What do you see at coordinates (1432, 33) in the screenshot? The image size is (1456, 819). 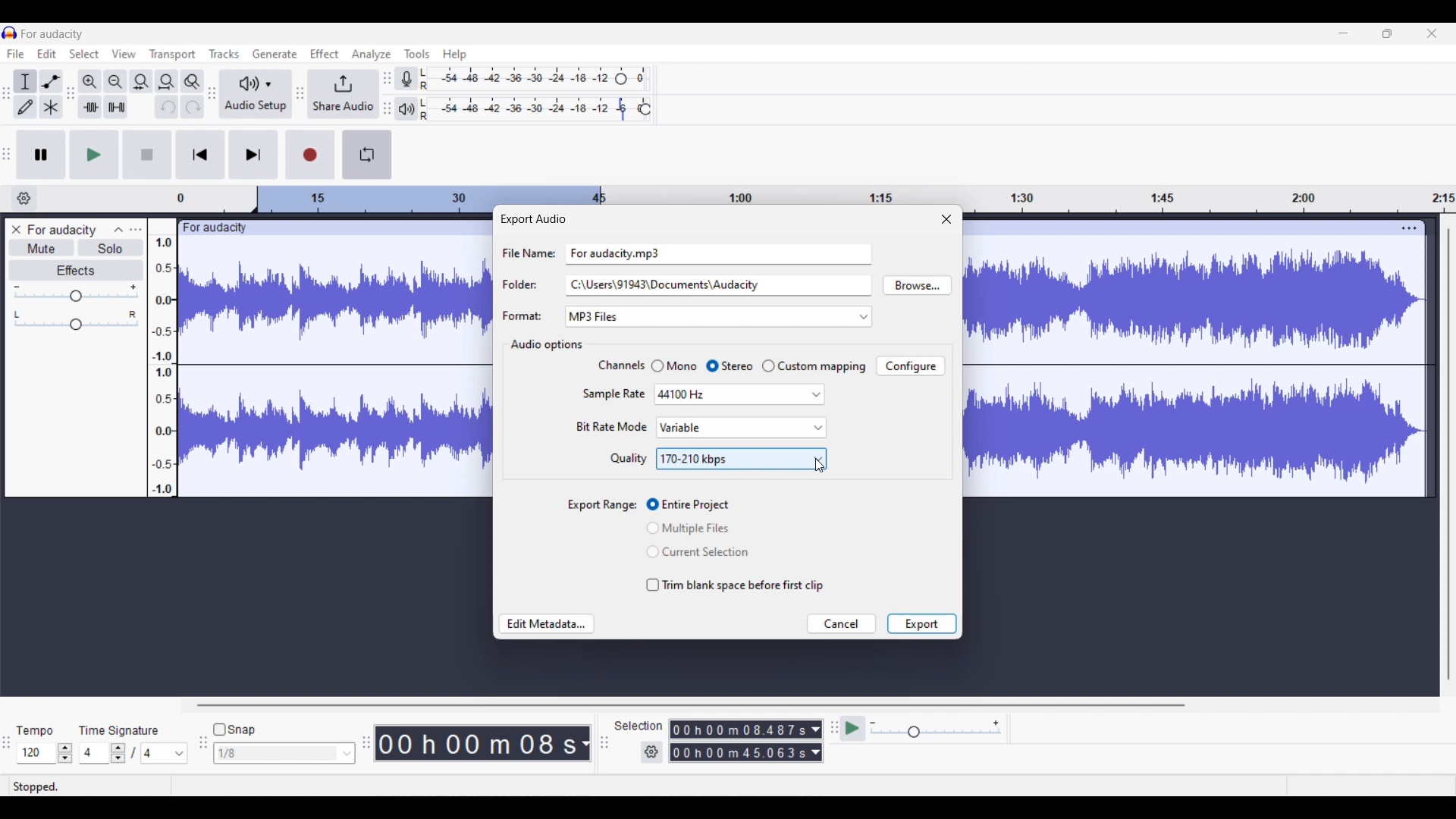 I see `Close interface` at bounding box center [1432, 33].